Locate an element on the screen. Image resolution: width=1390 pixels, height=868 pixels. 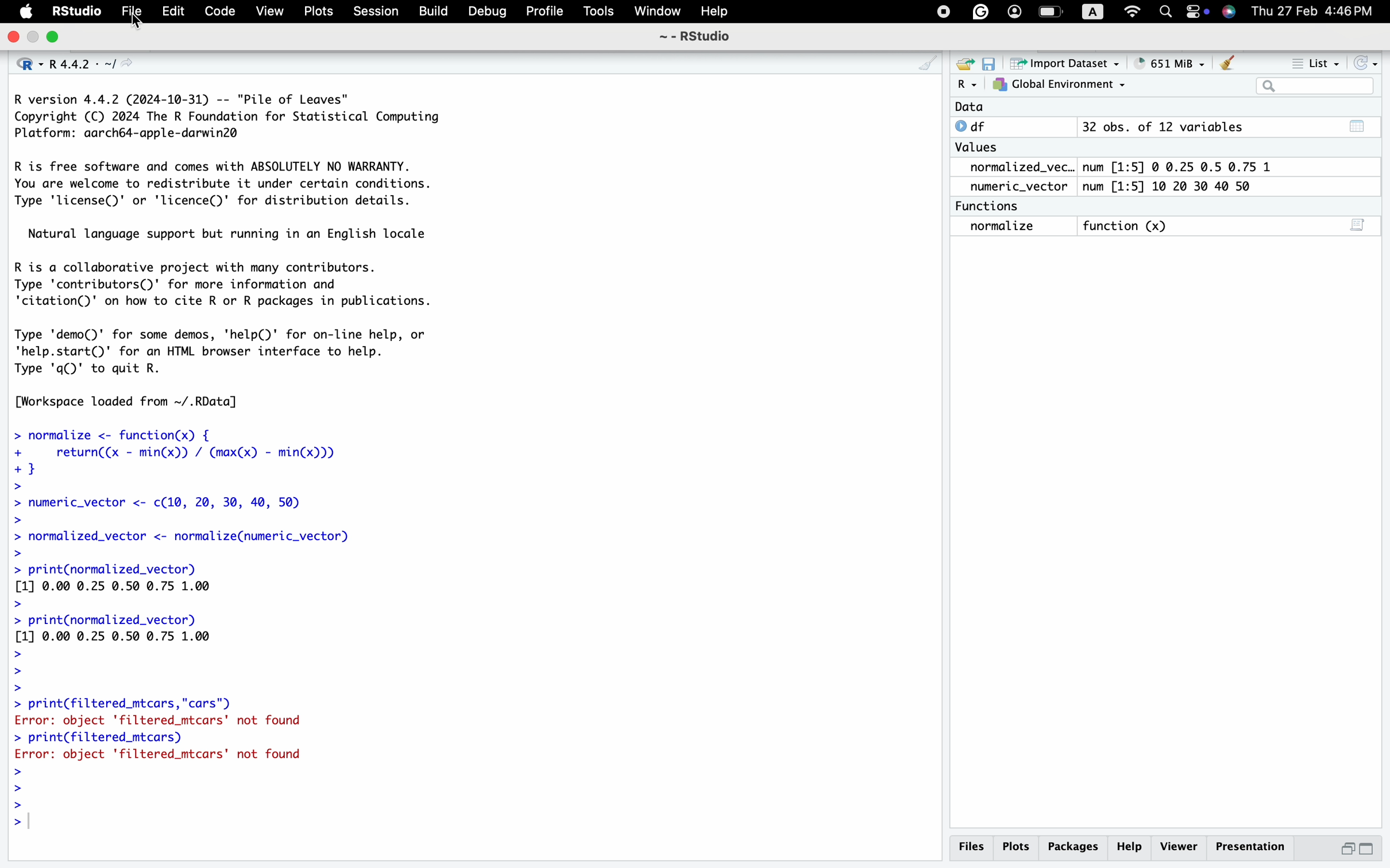
Code is located at coordinates (213, 10).